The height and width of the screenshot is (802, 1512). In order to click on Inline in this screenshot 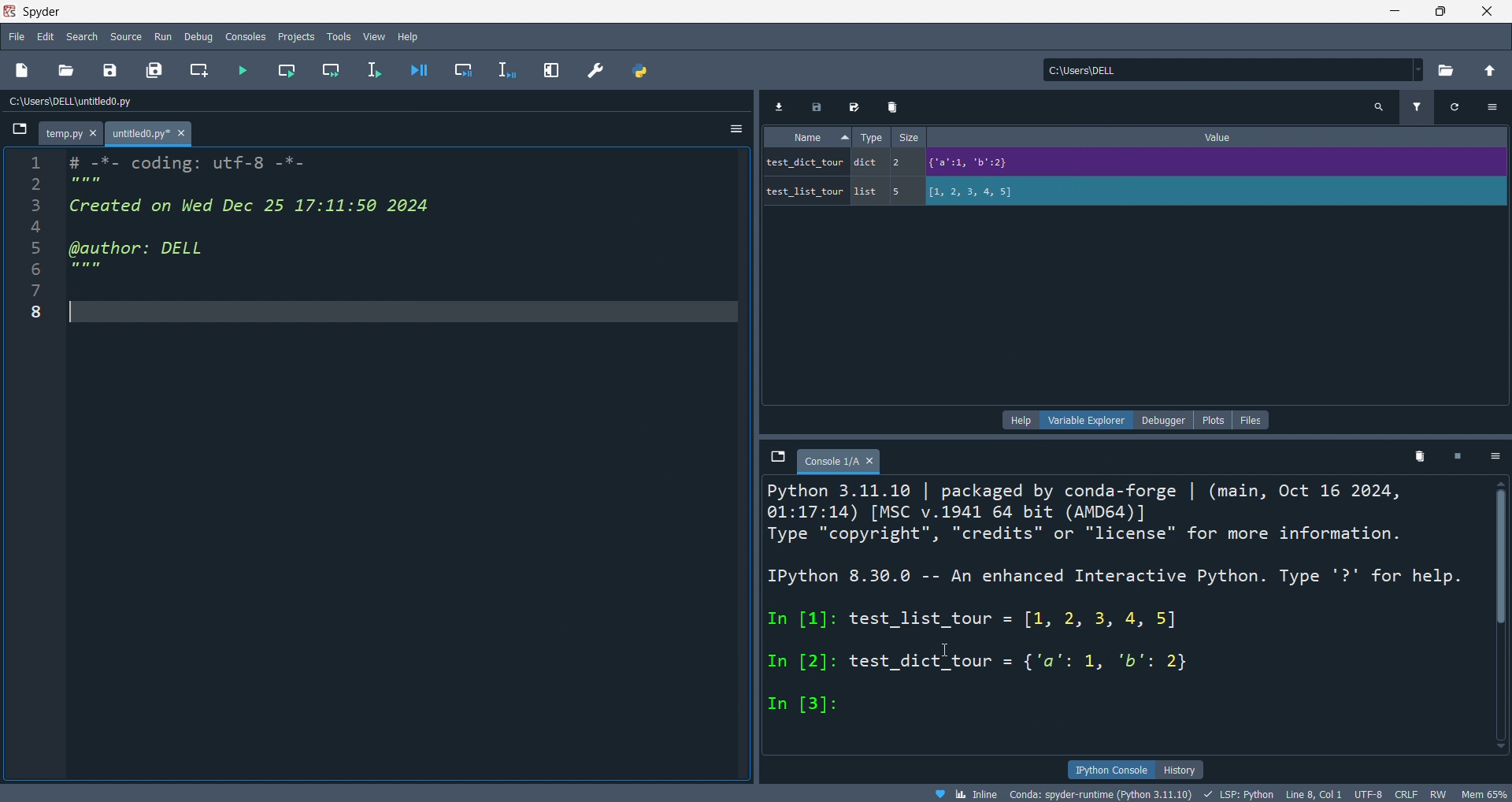, I will do `click(971, 793)`.